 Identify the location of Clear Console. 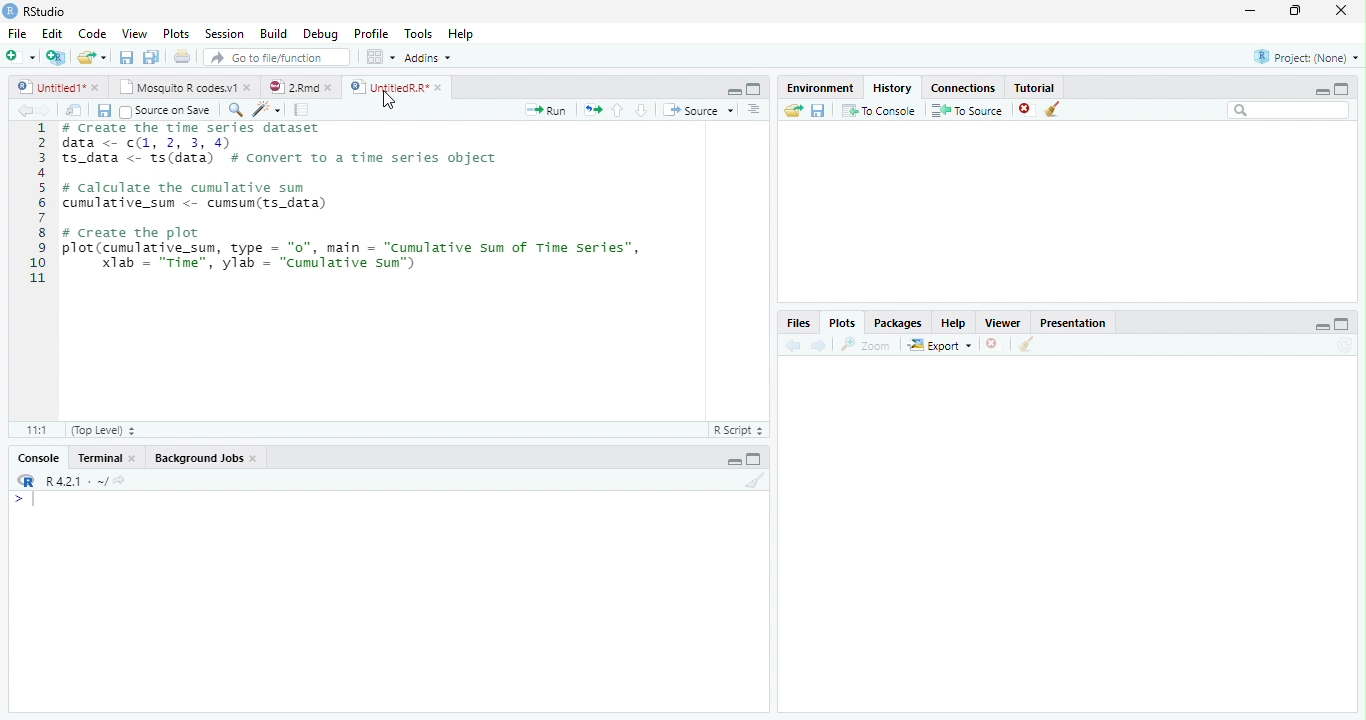
(1051, 112).